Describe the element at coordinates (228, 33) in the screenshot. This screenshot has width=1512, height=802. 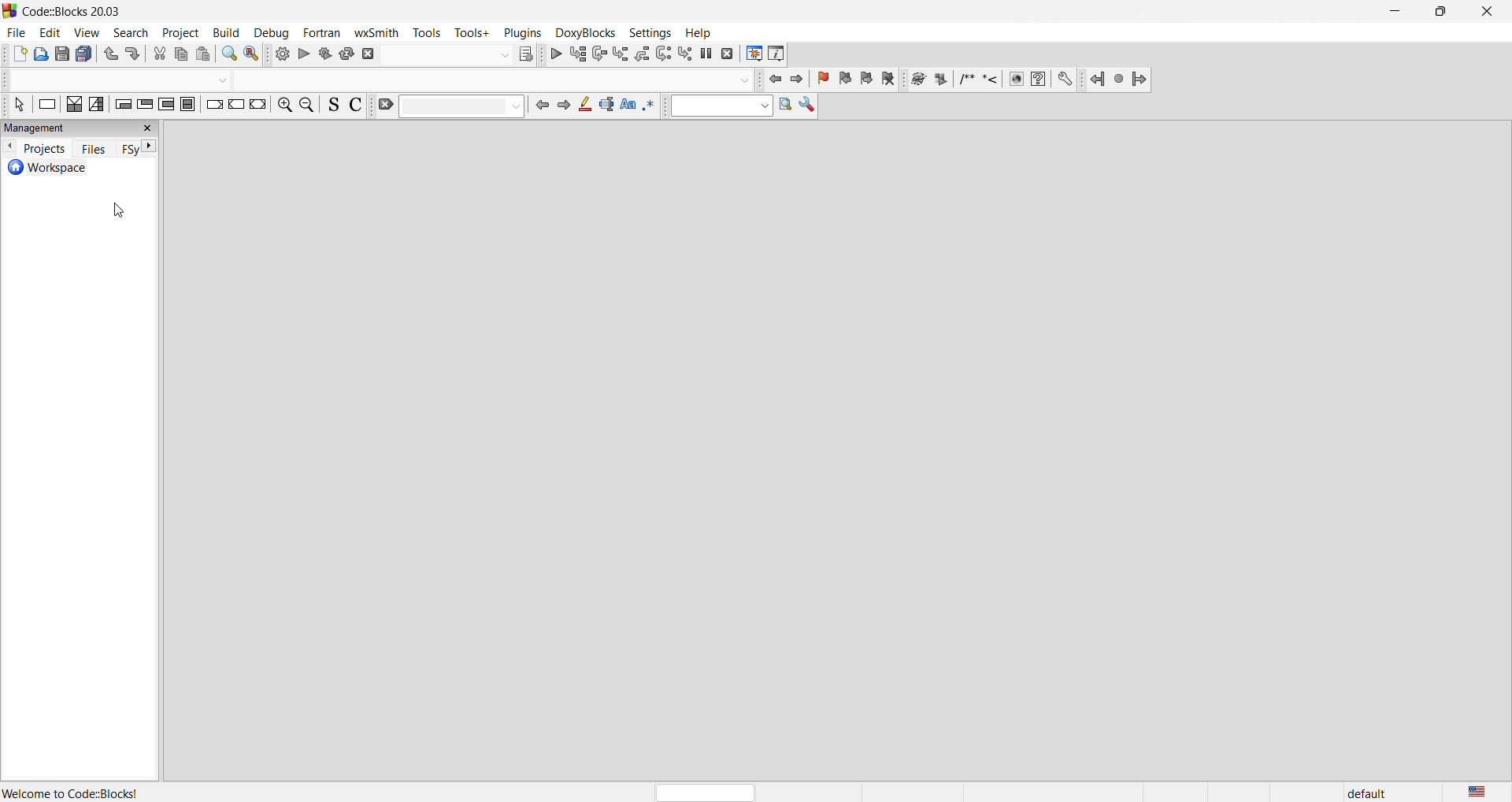
I see `build` at that location.